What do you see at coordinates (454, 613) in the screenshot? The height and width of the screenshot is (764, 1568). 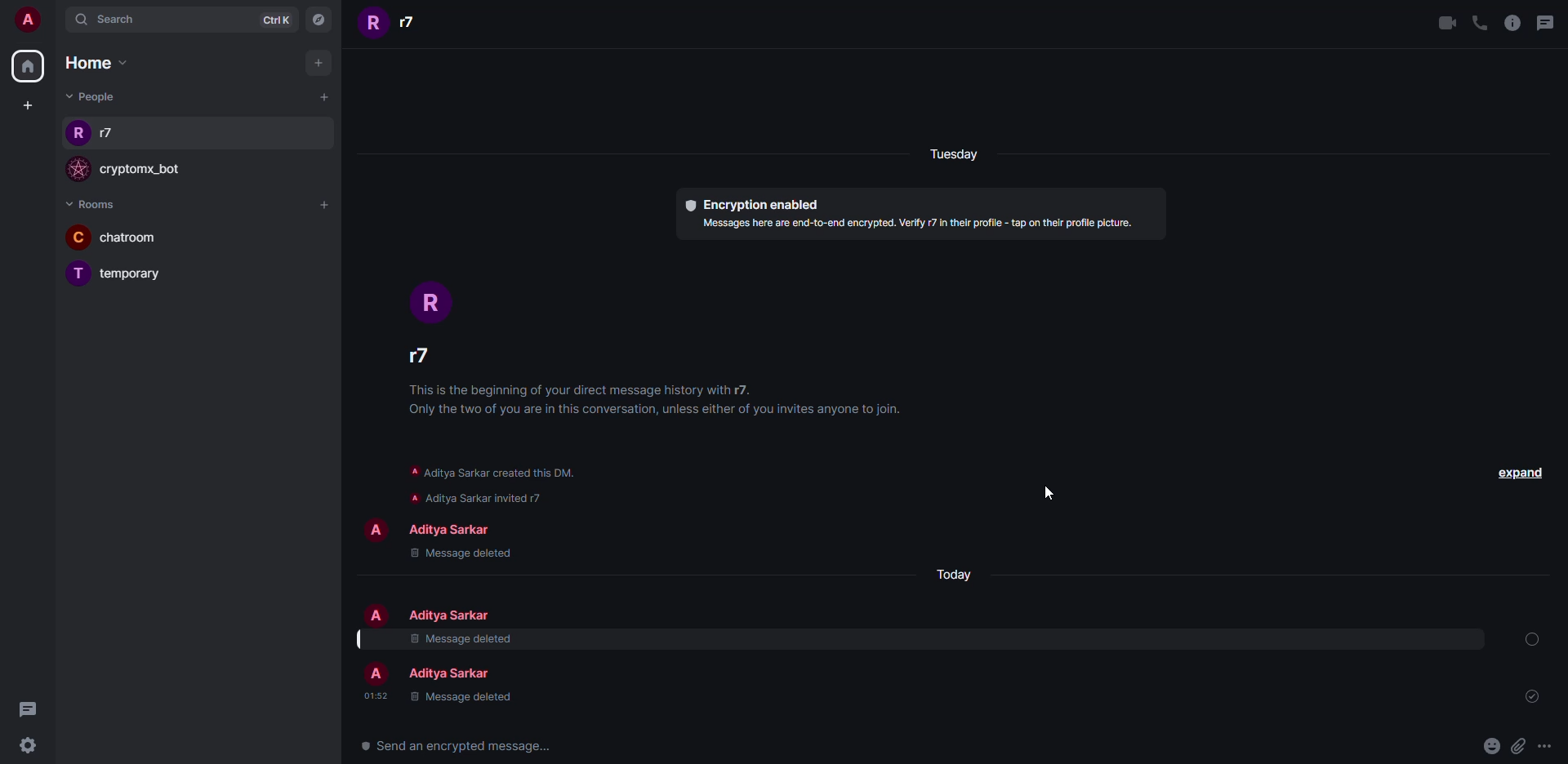 I see `people` at bounding box center [454, 613].